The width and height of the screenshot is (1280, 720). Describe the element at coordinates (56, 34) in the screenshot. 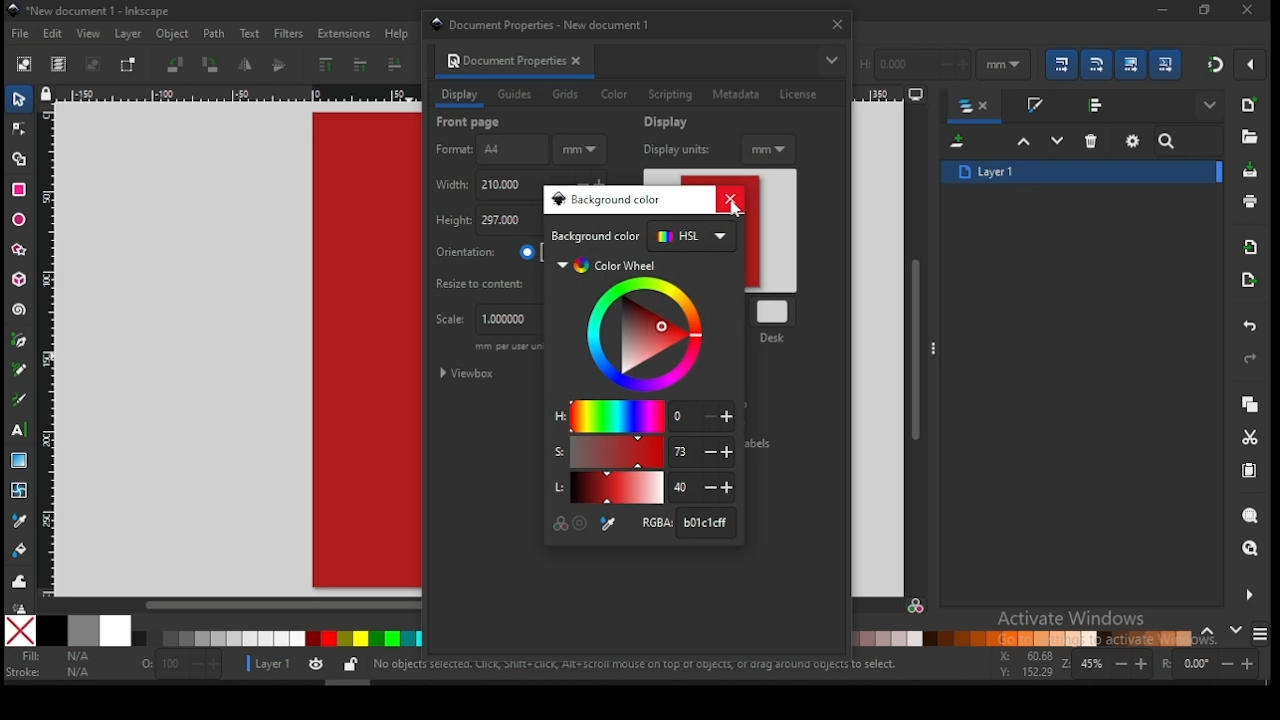

I see `edit` at that location.